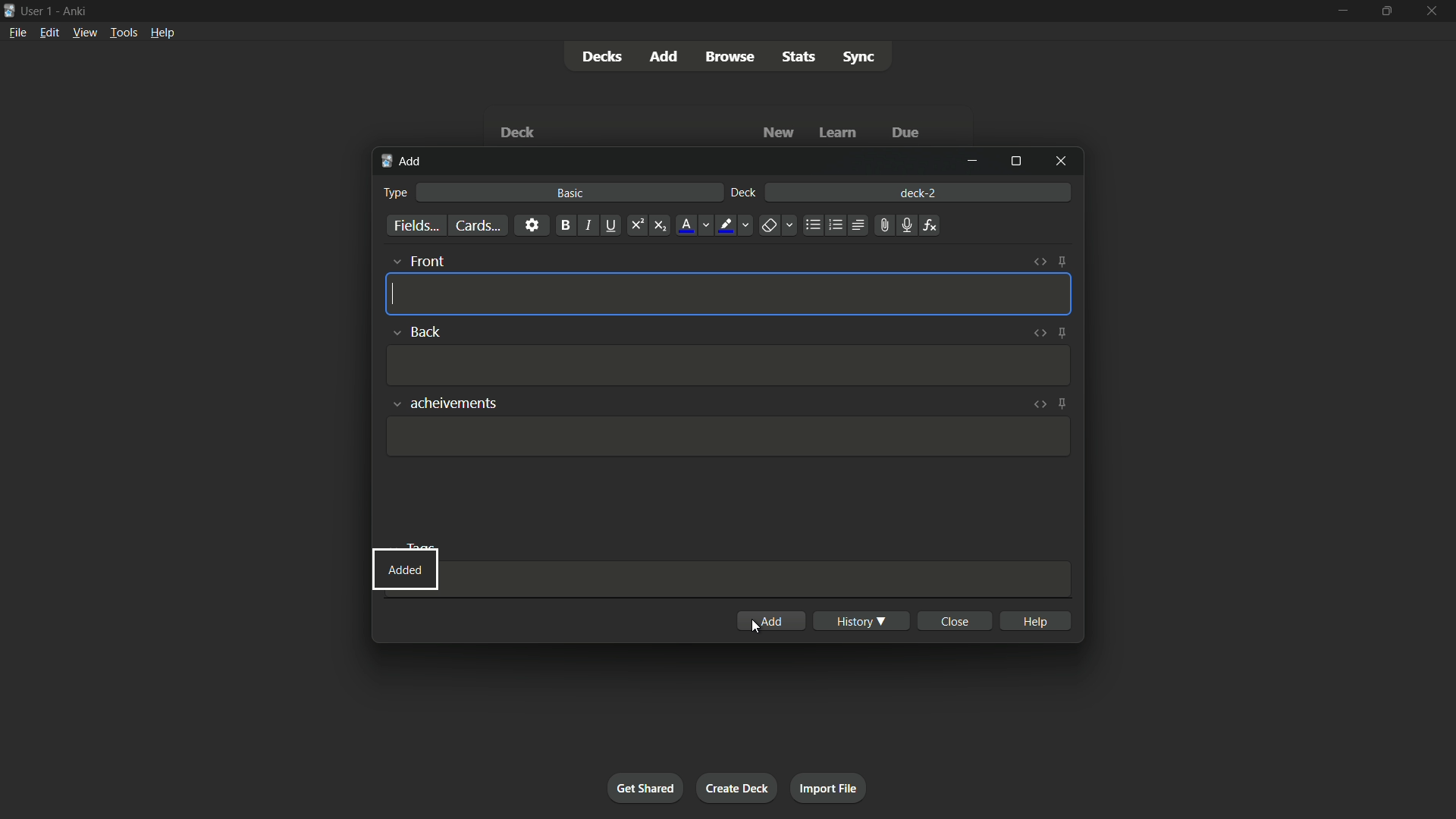 The image size is (1456, 819). Describe the element at coordinates (754, 627) in the screenshot. I see `cursor` at that location.